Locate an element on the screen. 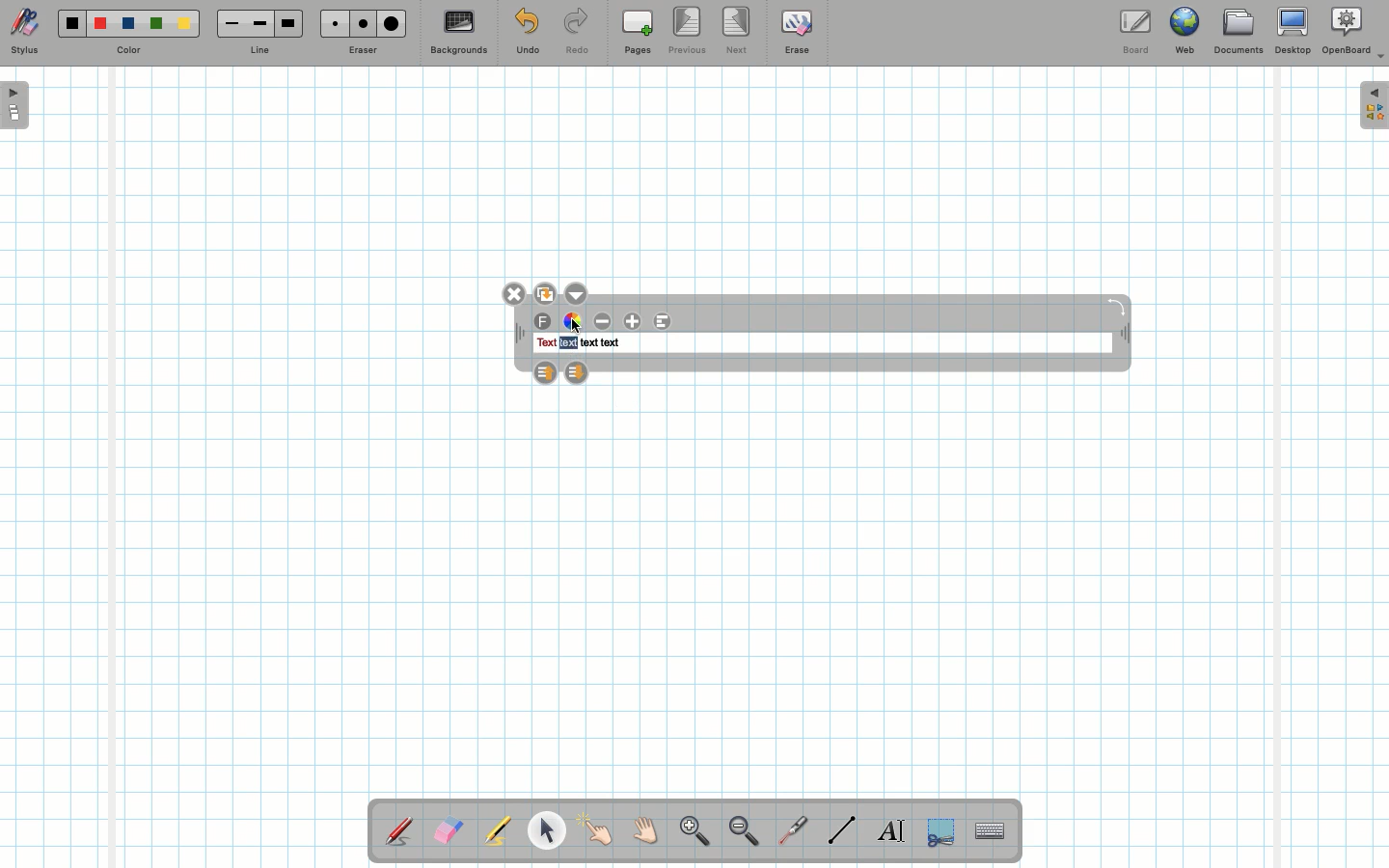 The height and width of the screenshot is (868, 1389). Board is located at coordinates (1134, 32).